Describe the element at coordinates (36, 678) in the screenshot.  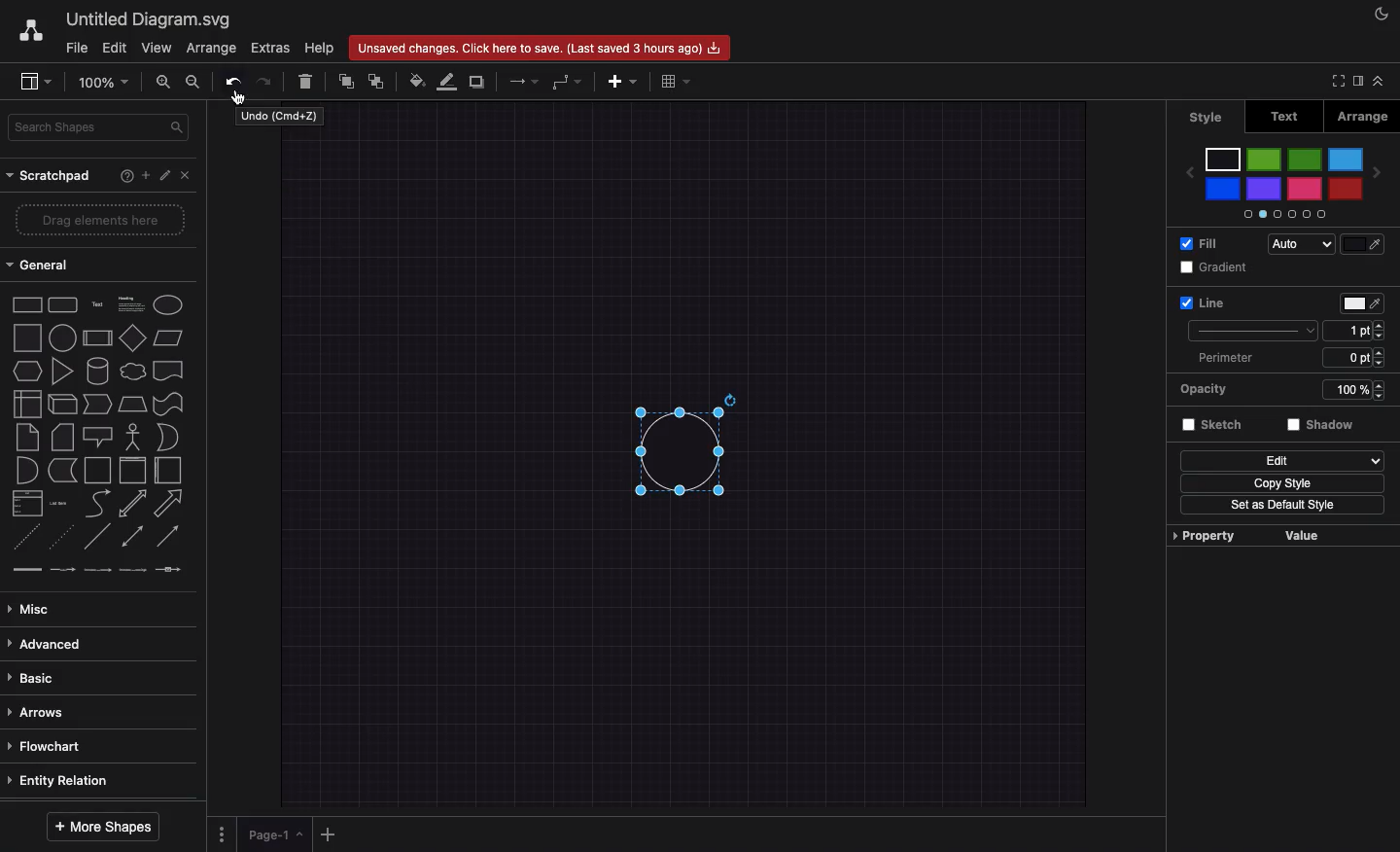
I see `Basic` at that location.